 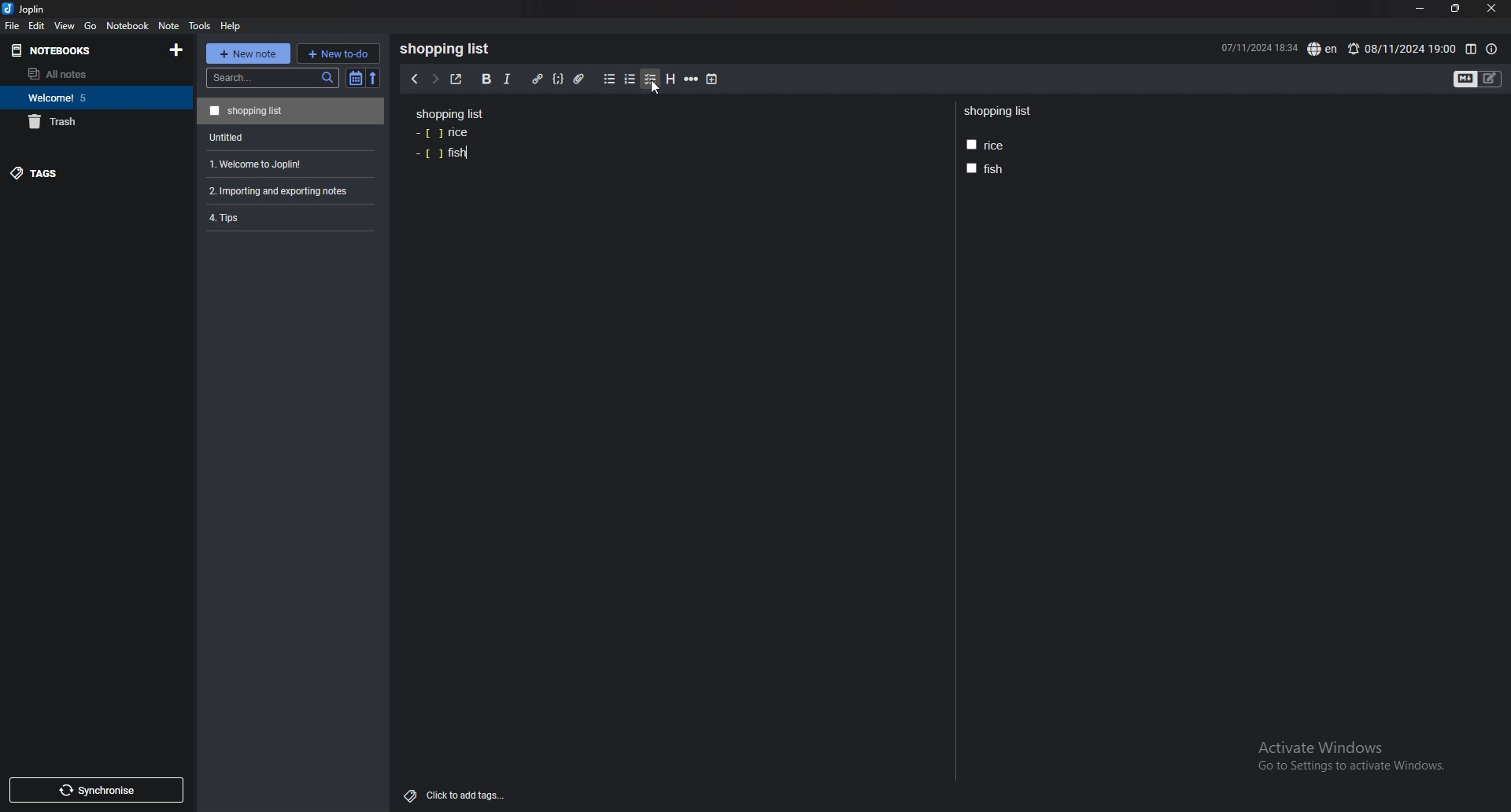 What do you see at coordinates (66, 25) in the screenshot?
I see `view` at bounding box center [66, 25].